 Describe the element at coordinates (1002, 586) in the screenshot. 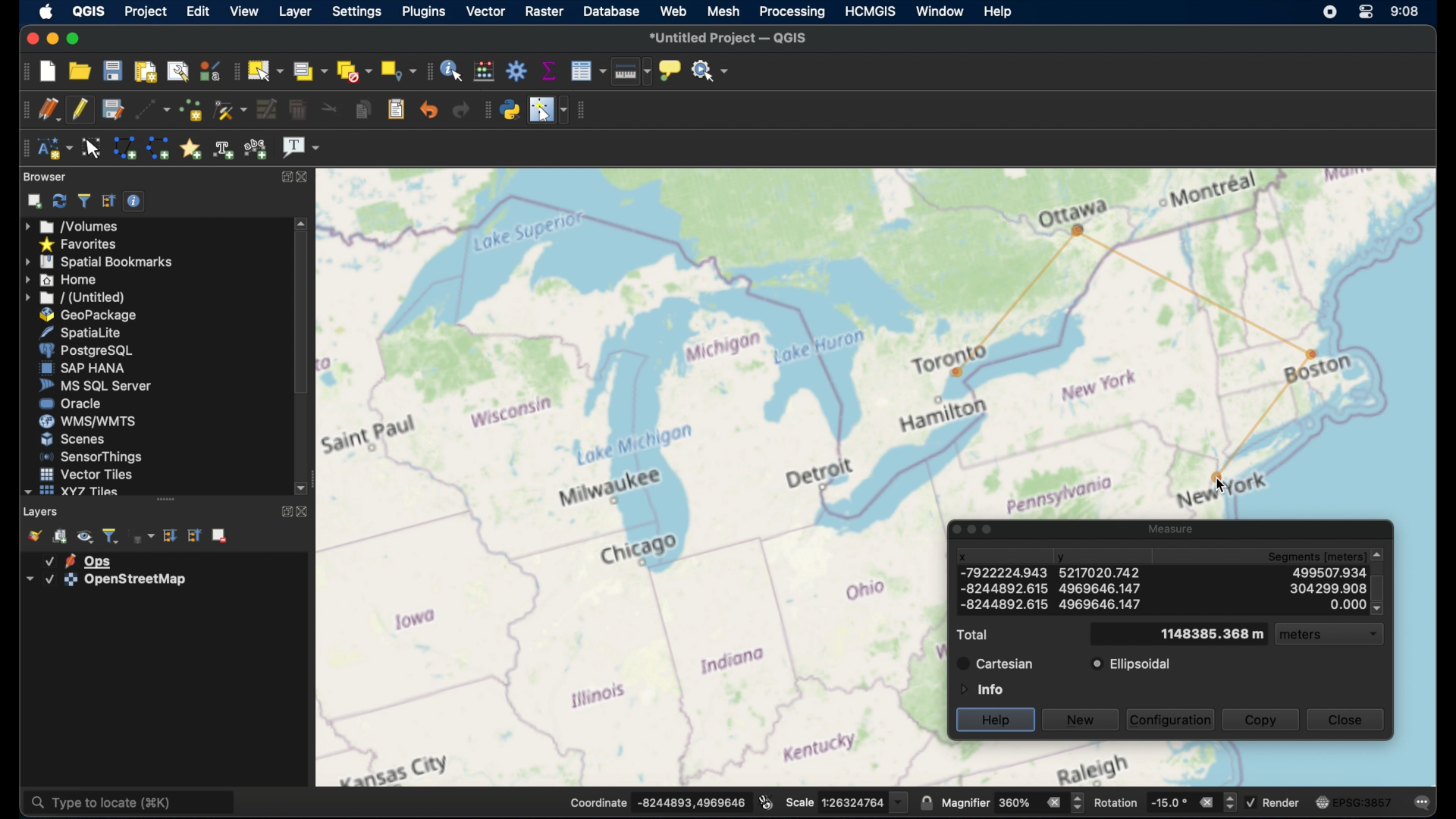

I see `x` at that location.